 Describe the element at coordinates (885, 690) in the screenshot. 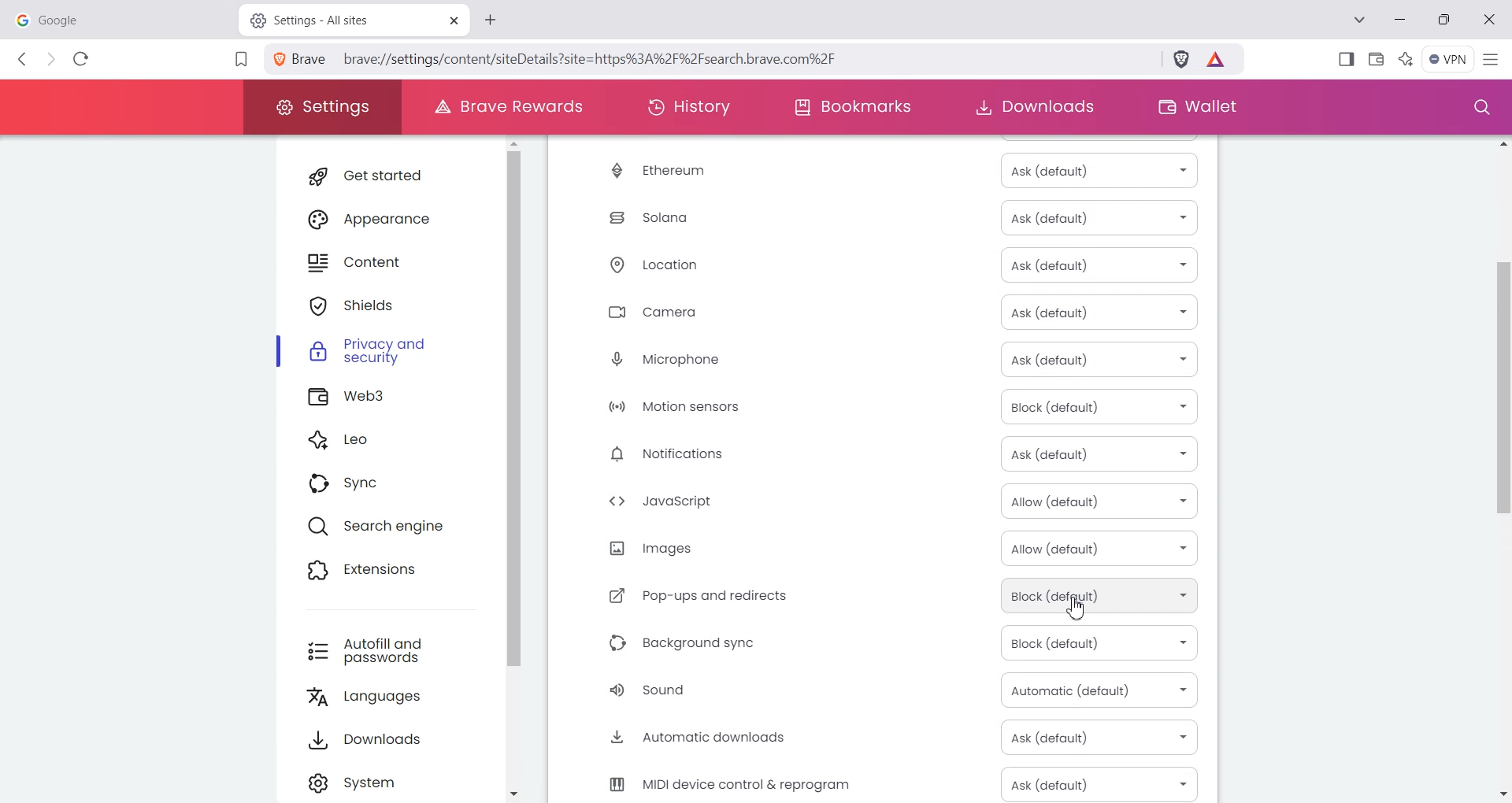

I see `Sound Automatic (Default)` at that location.